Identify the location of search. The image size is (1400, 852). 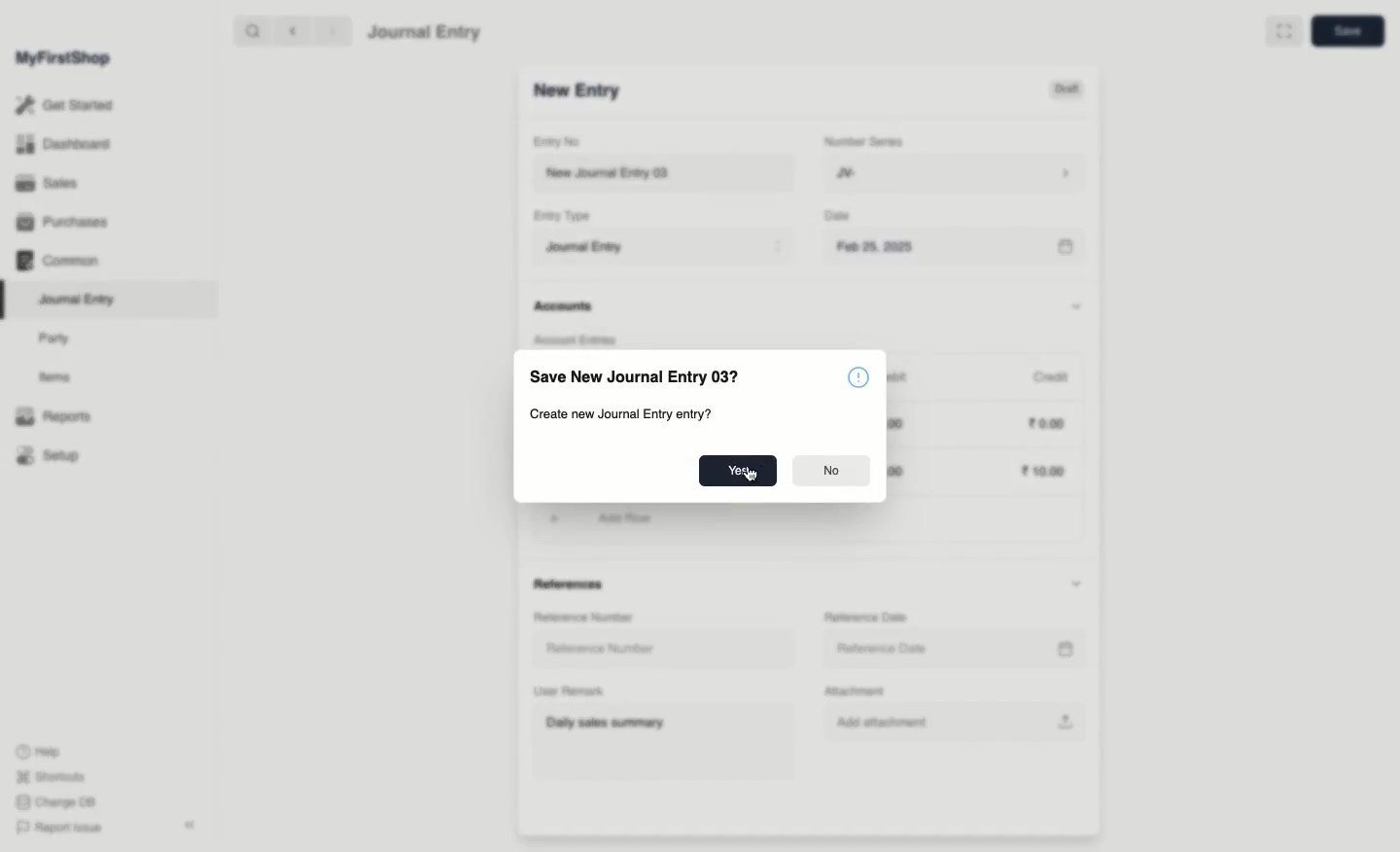
(248, 31).